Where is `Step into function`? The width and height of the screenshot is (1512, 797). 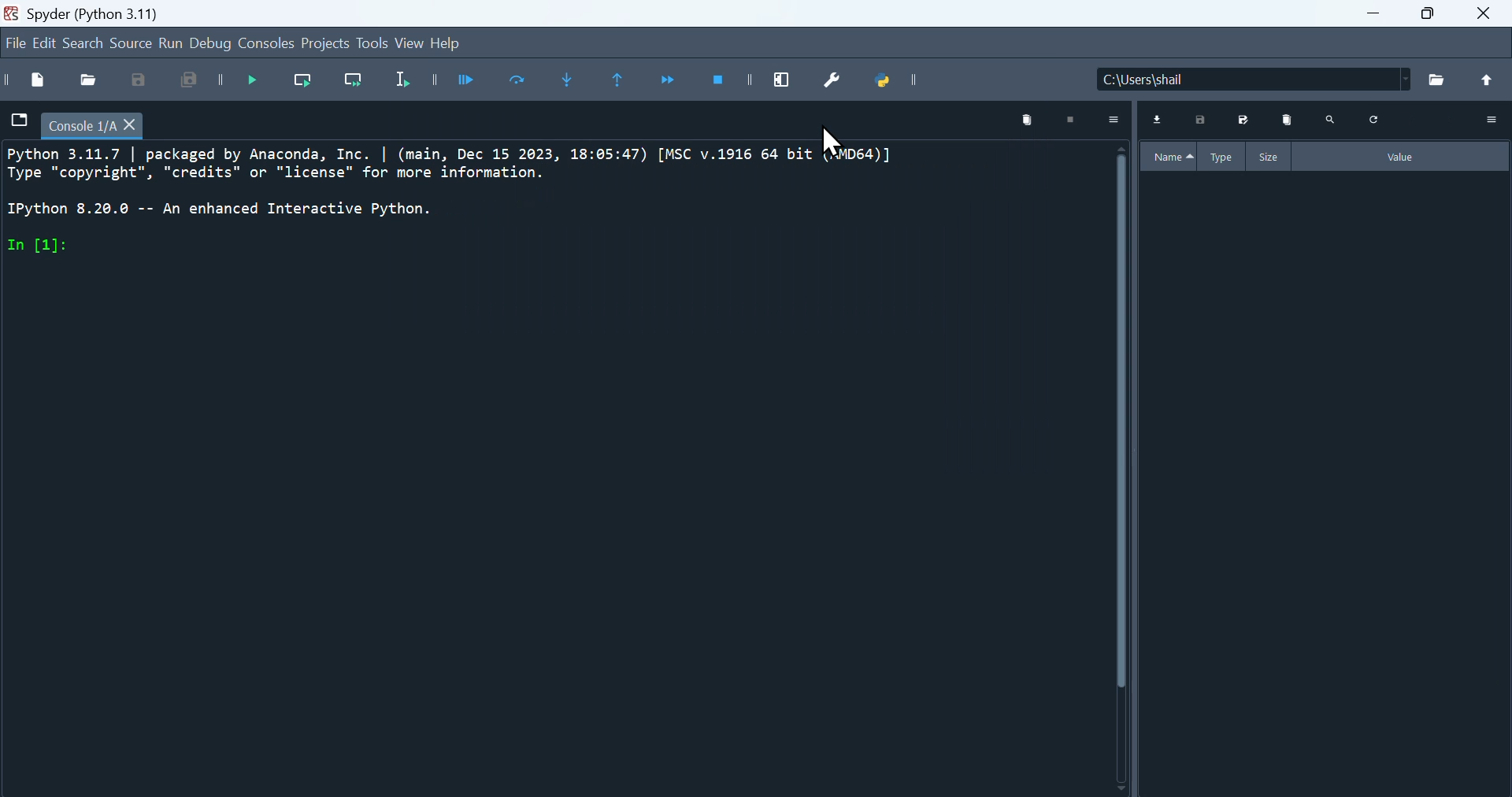 Step into function is located at coordinates (571, 83).